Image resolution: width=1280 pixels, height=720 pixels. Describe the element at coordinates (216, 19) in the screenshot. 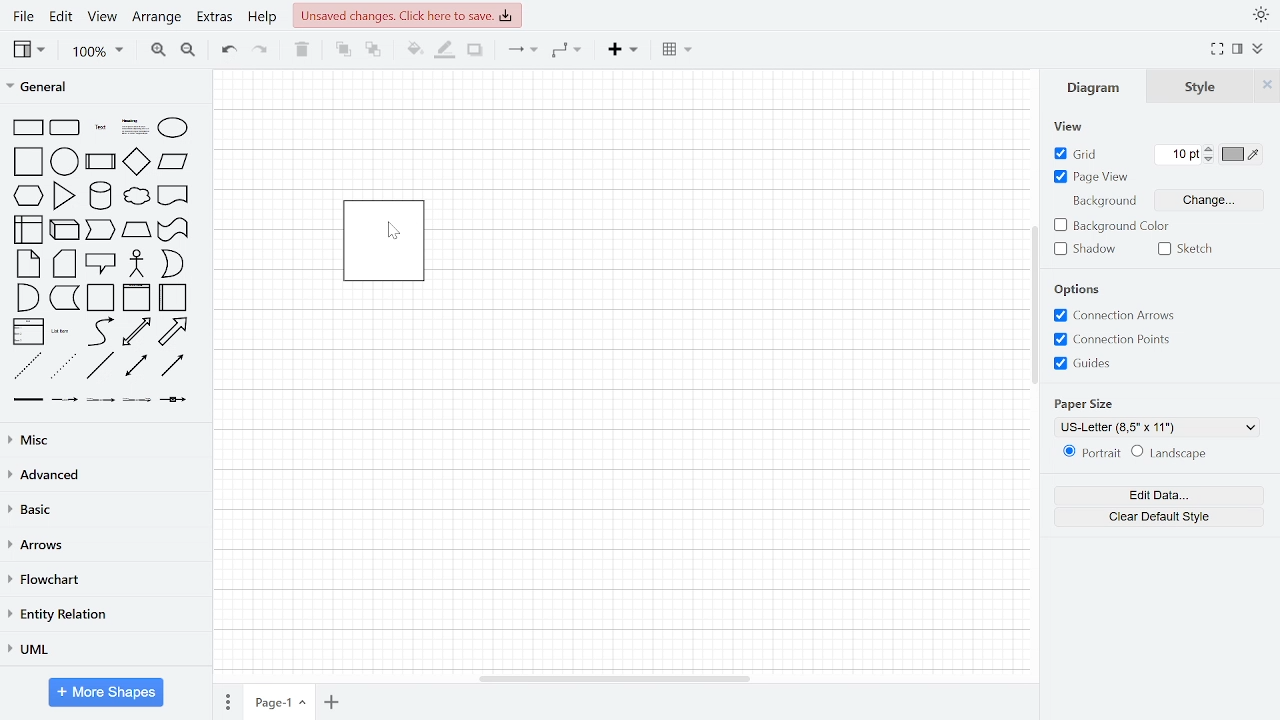

I see `extras` at that location.